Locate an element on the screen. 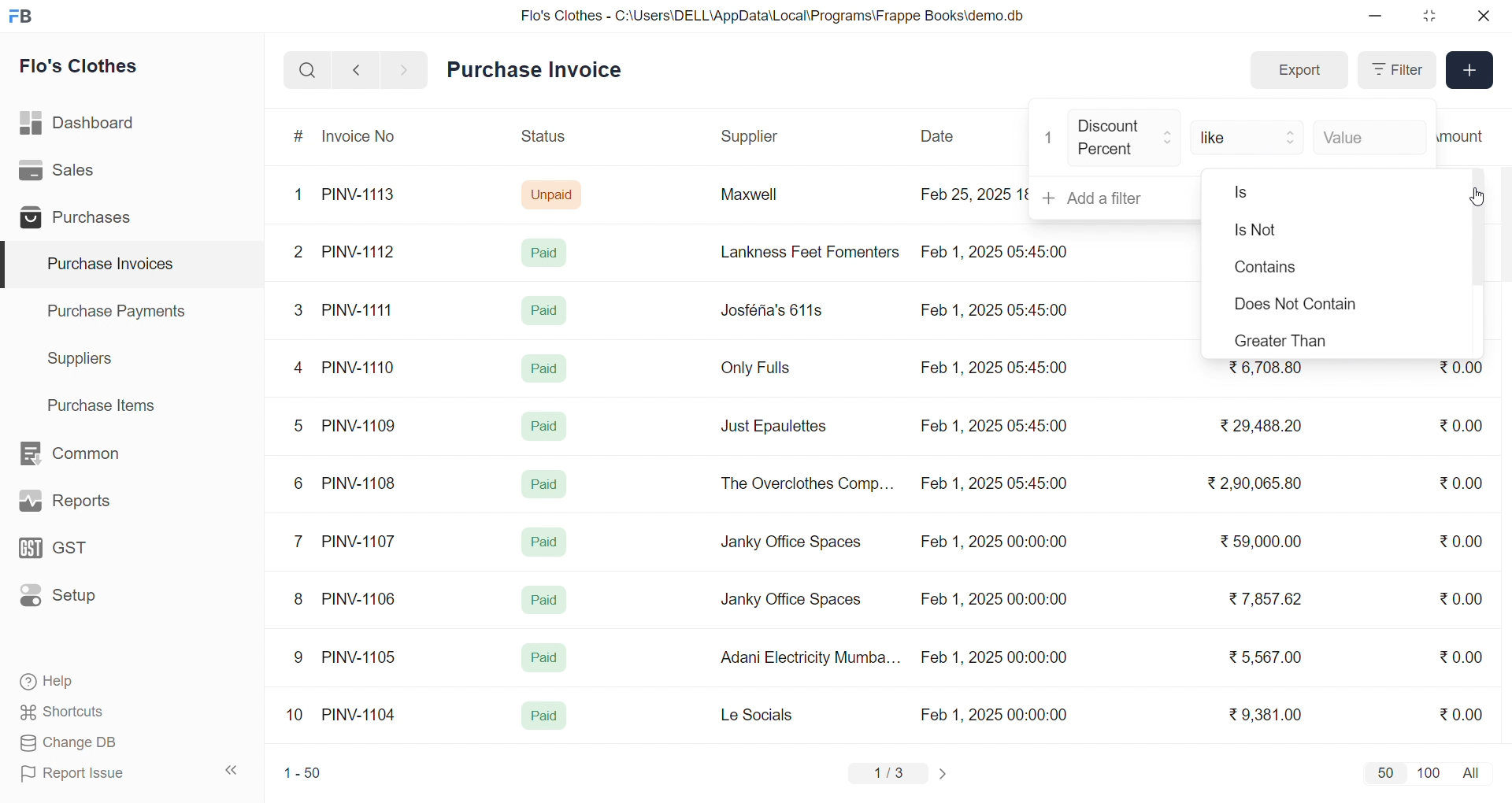 This screenshot has height=803, width=1512. Greater Than is located at coordinates (1295, 340).